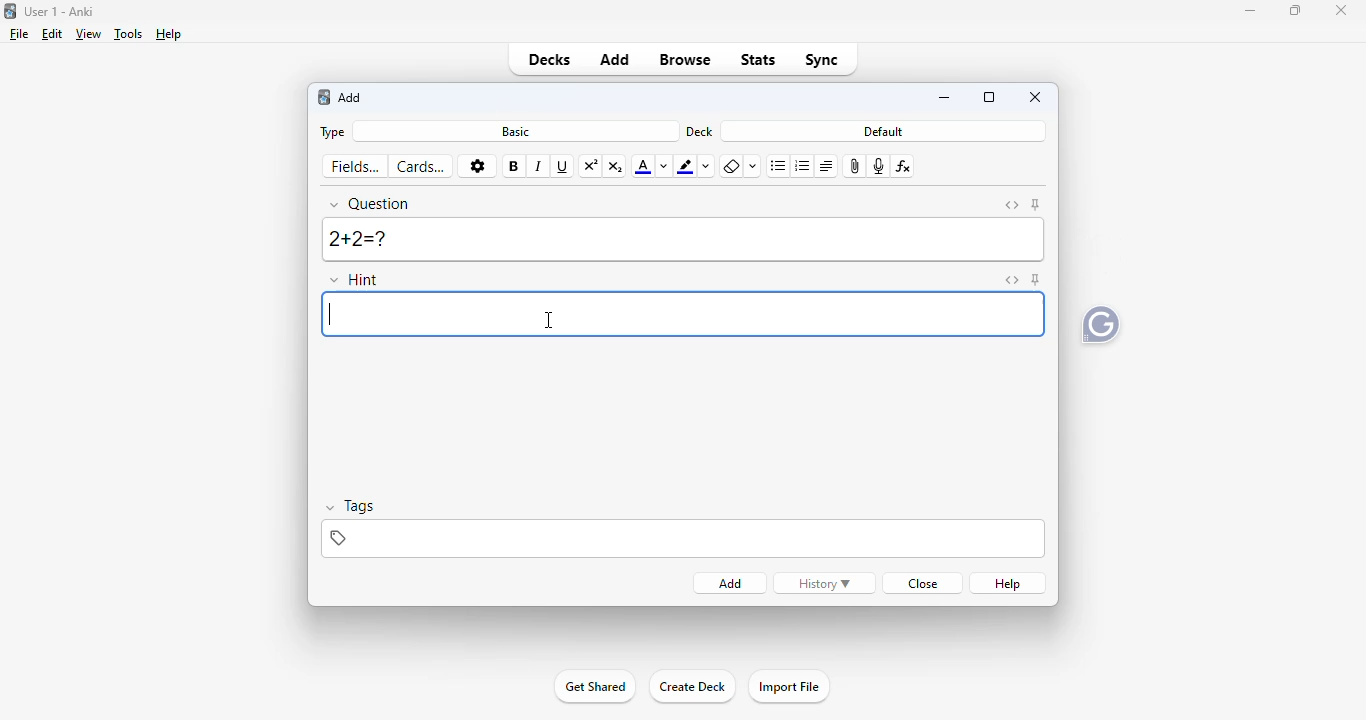  I want to click on sync, so click(820, 60).